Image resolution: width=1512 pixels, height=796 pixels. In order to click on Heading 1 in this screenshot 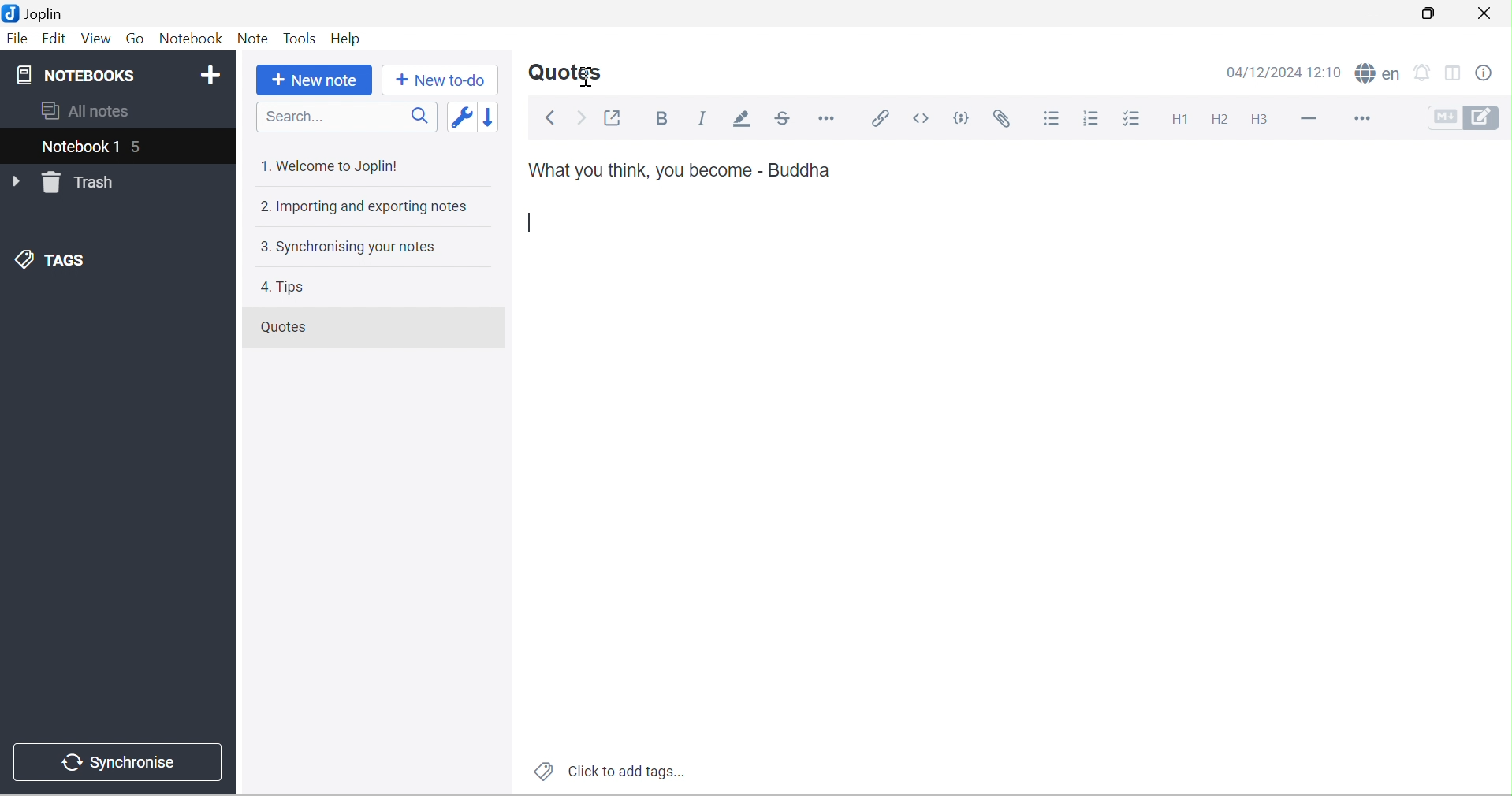, I will do `click(1178, 122)`.